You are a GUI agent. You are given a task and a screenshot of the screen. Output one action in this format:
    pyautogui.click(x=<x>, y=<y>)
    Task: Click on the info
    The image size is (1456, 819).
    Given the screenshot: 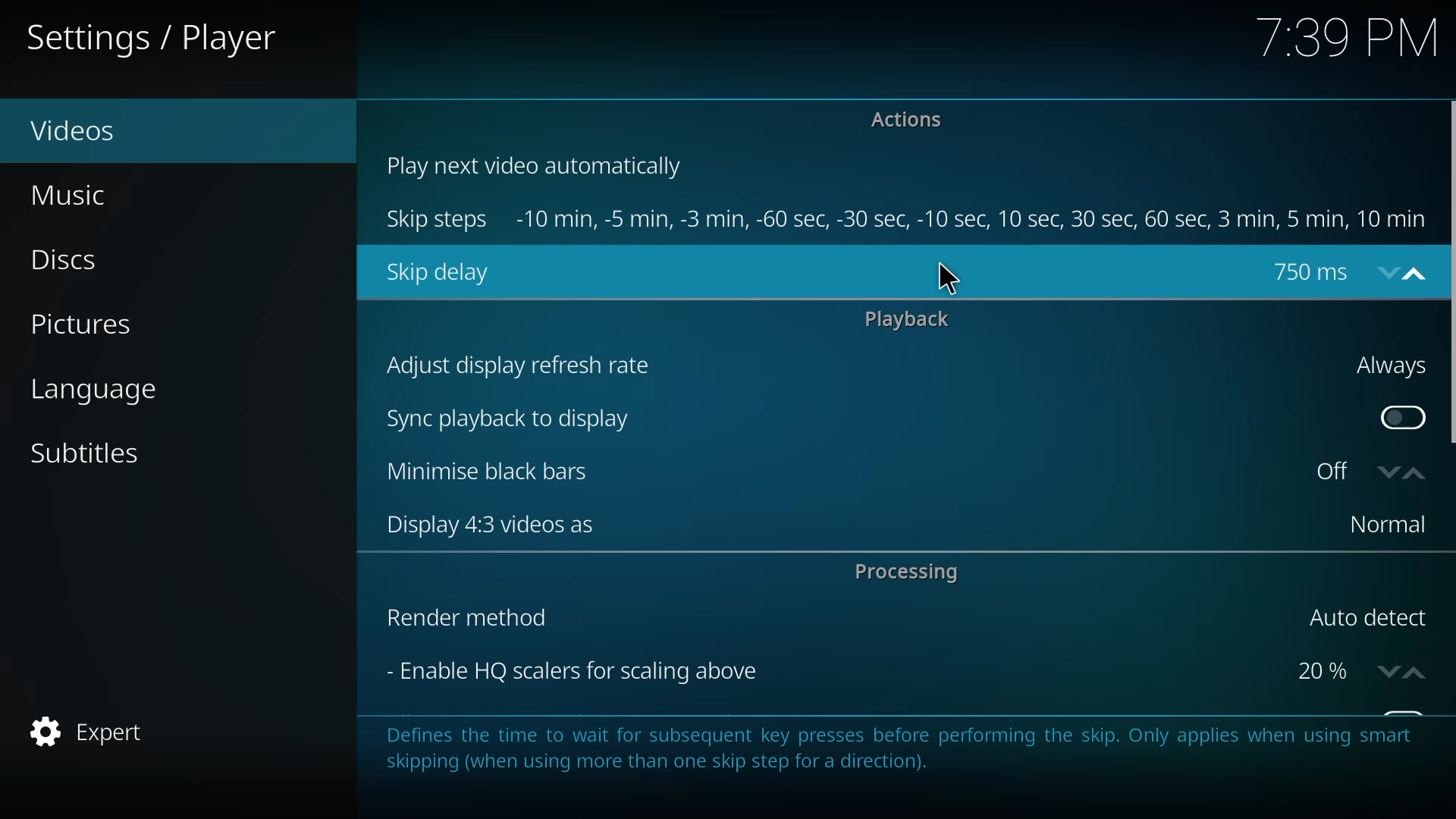 What is the action you would take?
    pyautogui.click(x=910, y=756)
    